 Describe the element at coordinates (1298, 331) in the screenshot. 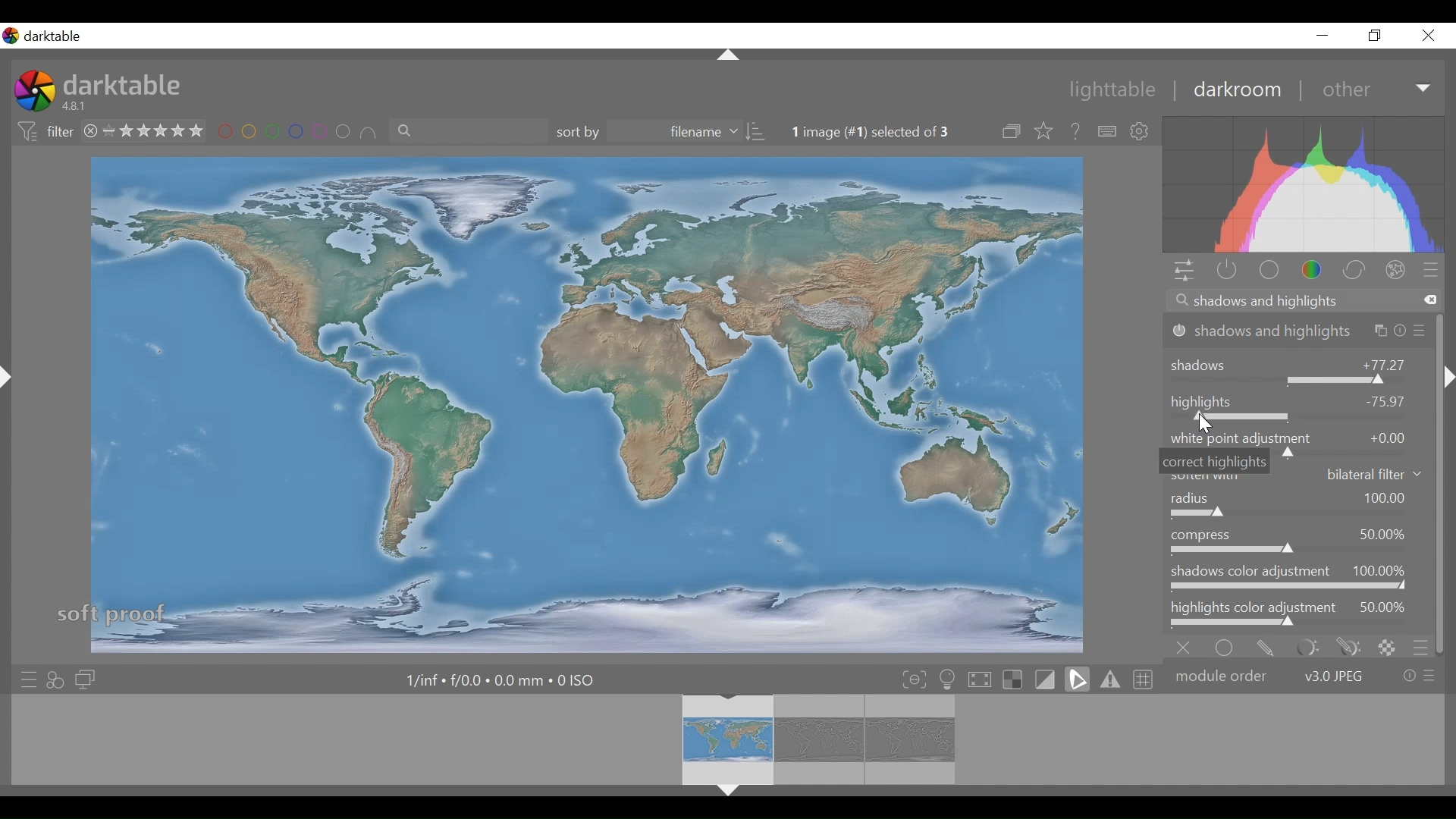

I see `shadows and highlights` at that location.